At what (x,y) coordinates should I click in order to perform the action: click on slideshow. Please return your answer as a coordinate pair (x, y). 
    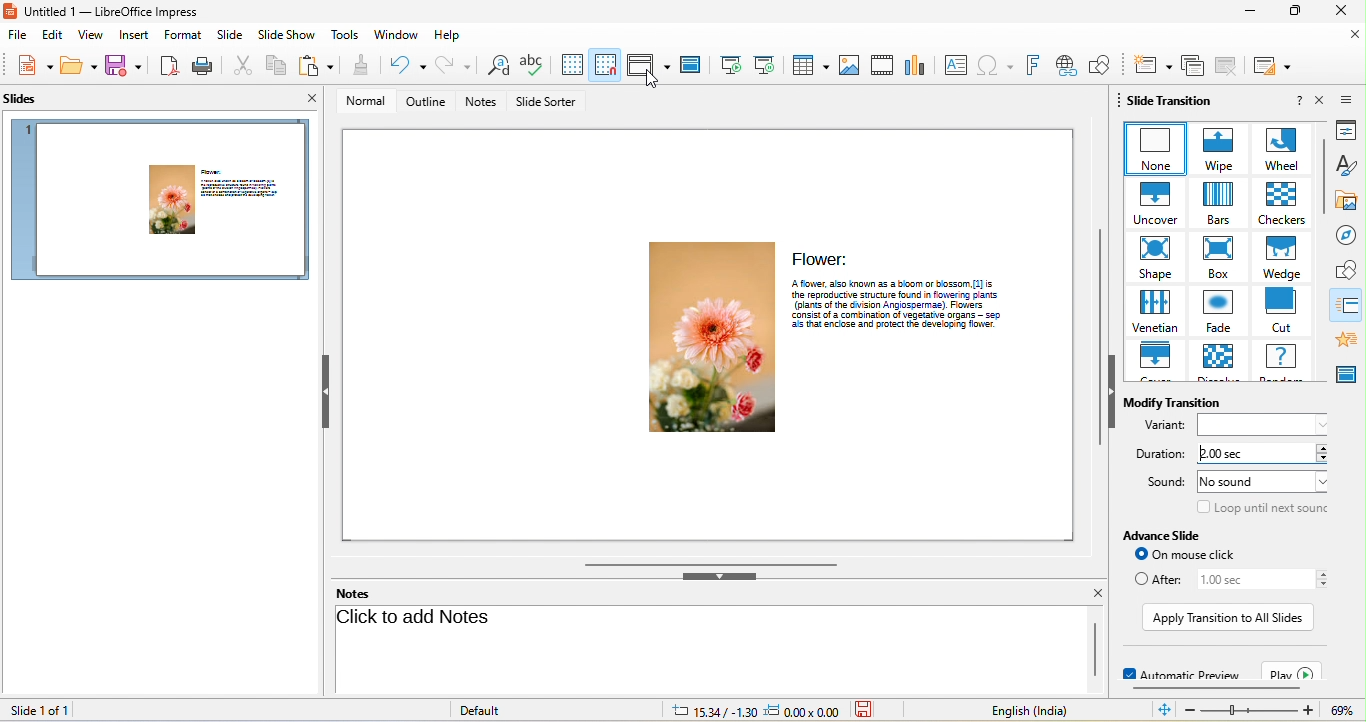
    Looking at the image, I should click on (286, 35).